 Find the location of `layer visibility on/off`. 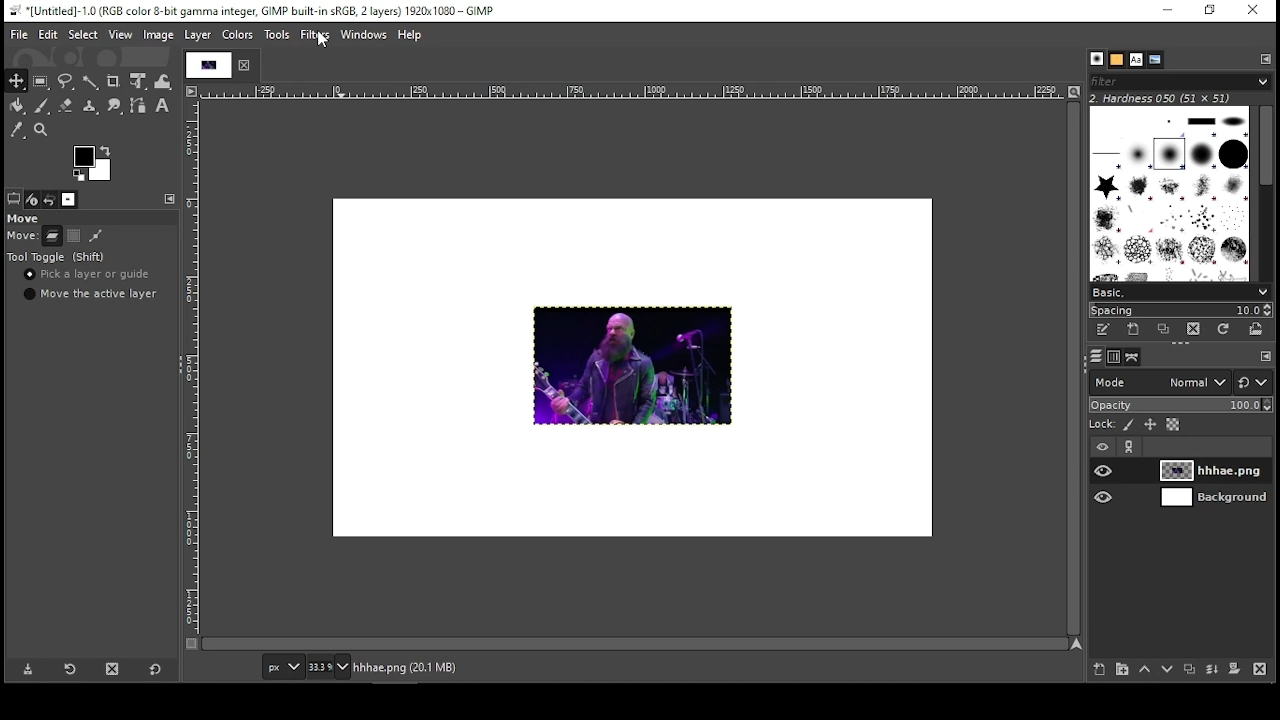

layer visibility on/off is located at coordinates (1105, 472).